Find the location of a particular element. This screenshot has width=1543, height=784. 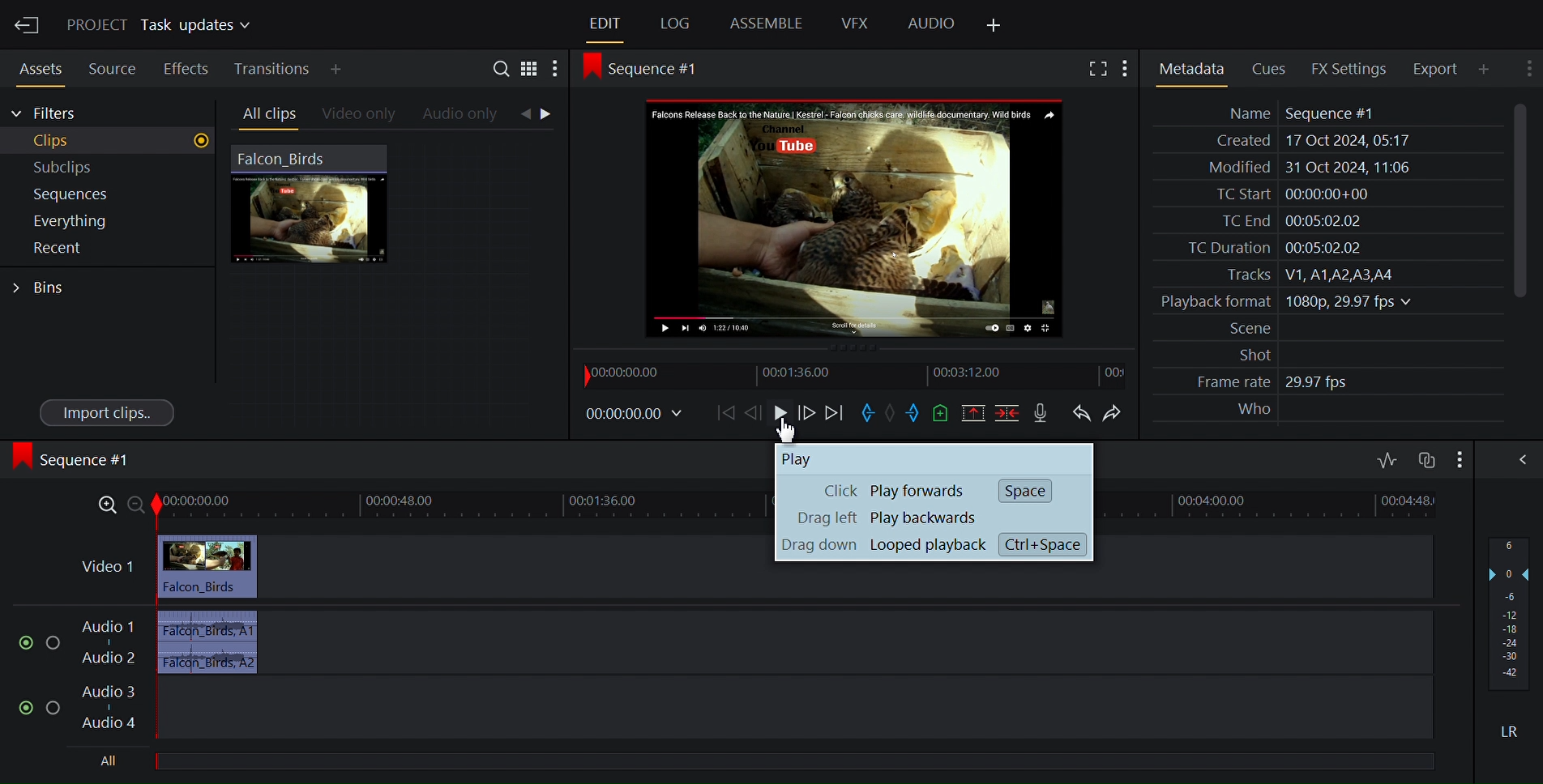

Scene is located at coordinates (1242, 329).